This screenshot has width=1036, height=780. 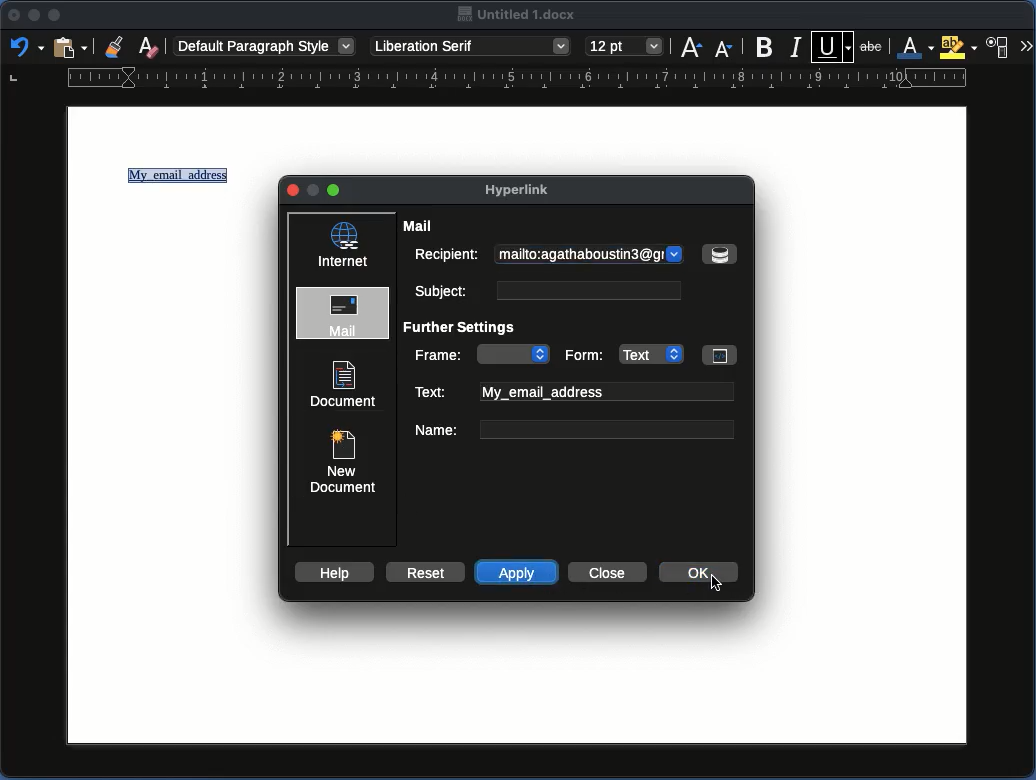 I want to click on Mail, so click(x=345, y=314).